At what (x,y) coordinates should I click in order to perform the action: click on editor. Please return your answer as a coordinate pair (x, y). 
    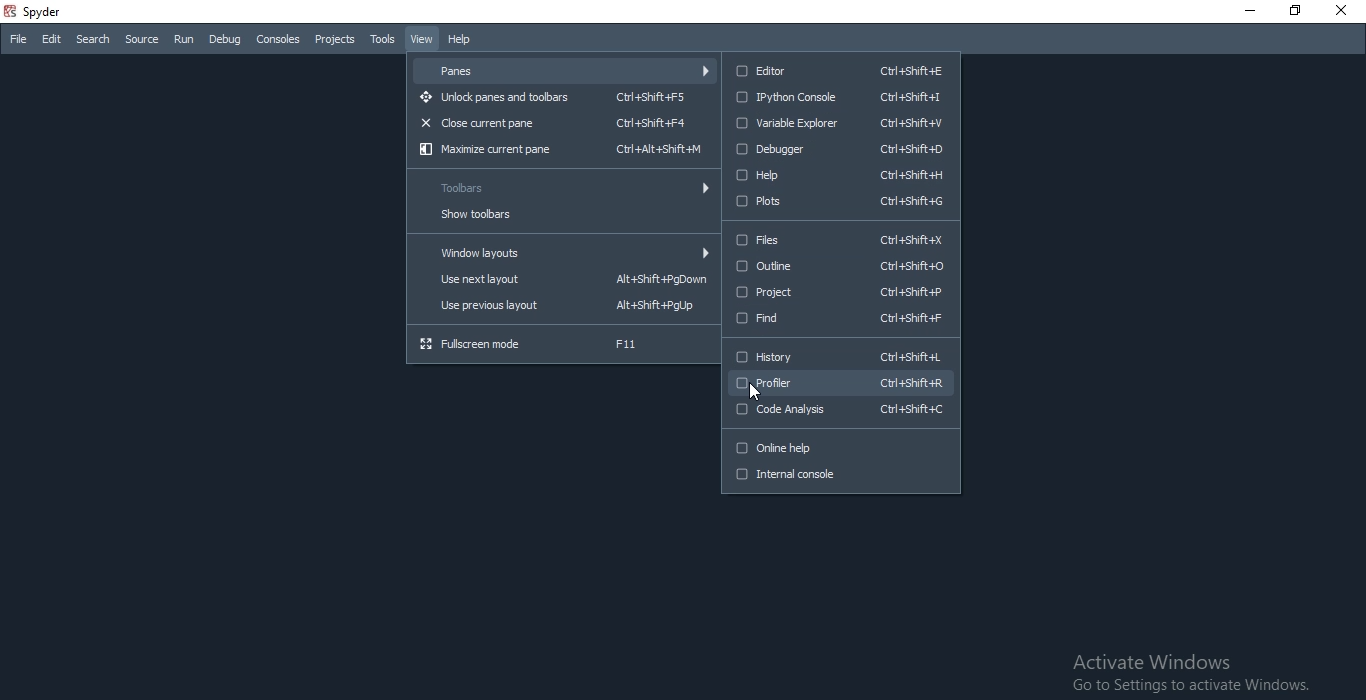
    Looking at the image, I should click on (841, 69).